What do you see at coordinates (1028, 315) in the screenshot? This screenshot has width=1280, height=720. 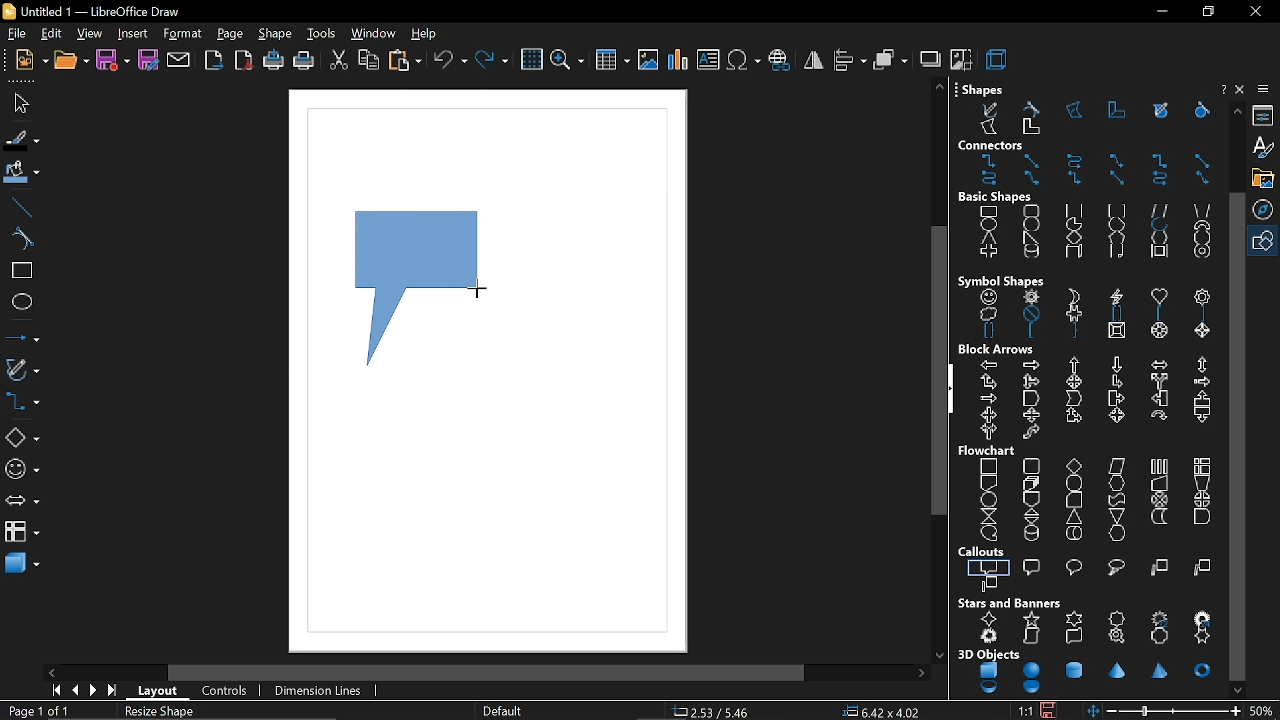 I see `prohibited` at bounding box center [1028, 315].